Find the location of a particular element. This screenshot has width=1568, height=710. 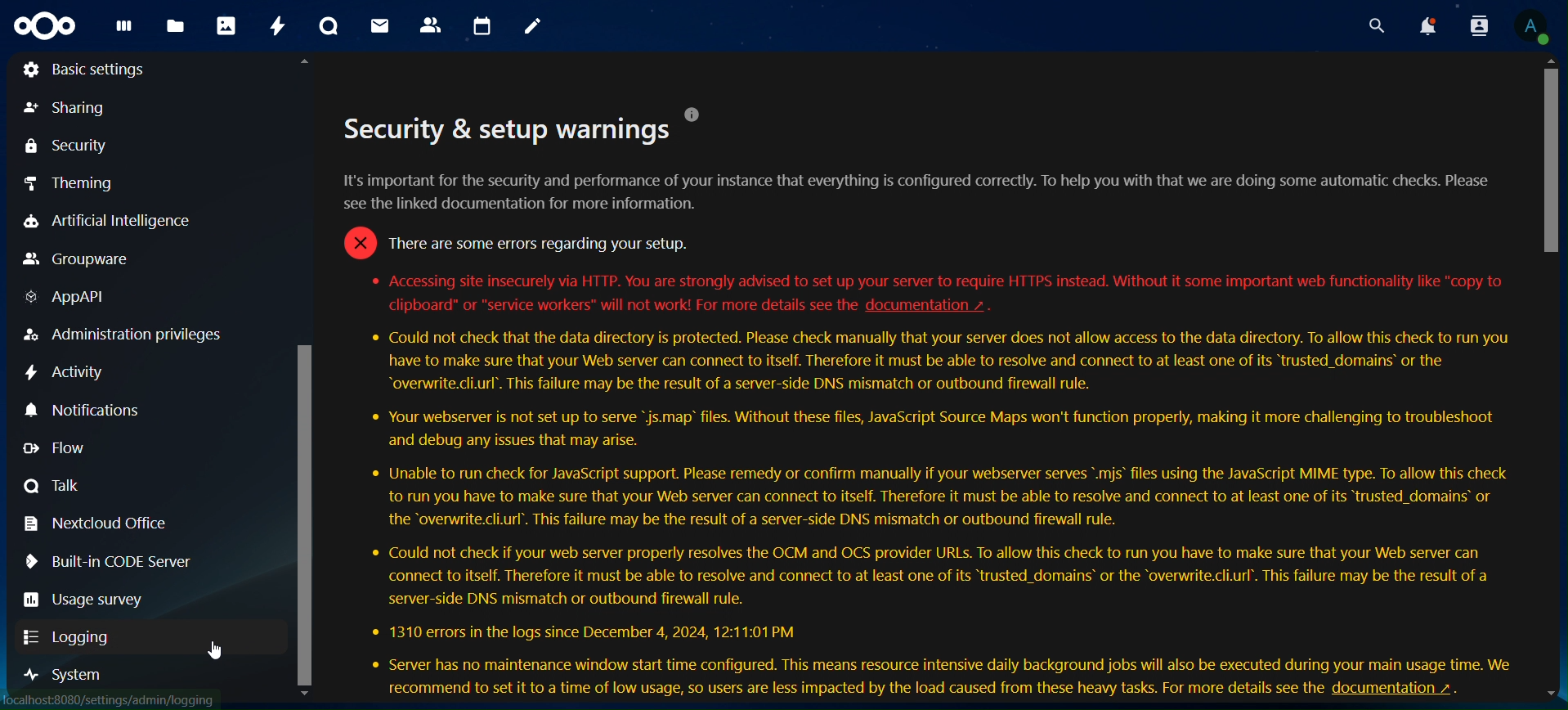

sharing is located at coordinates (78, 110).